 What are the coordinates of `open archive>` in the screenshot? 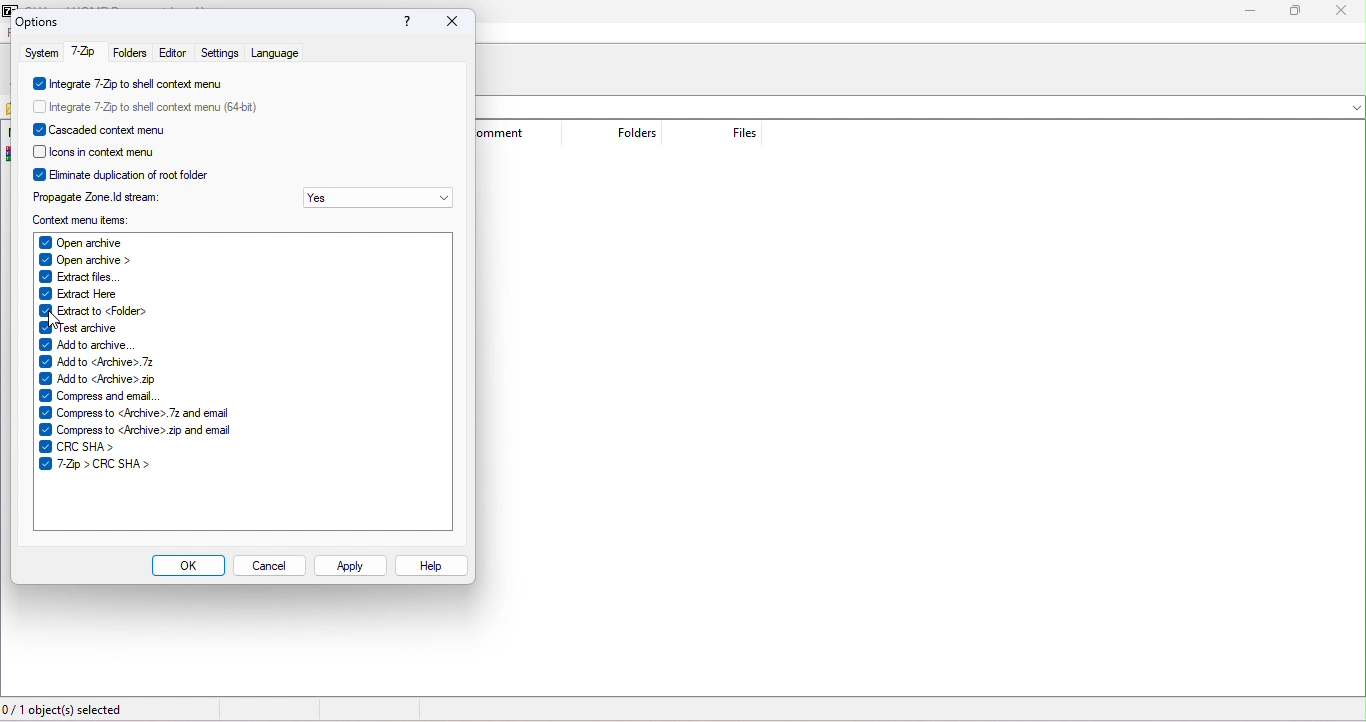 It's located at (106, 259).